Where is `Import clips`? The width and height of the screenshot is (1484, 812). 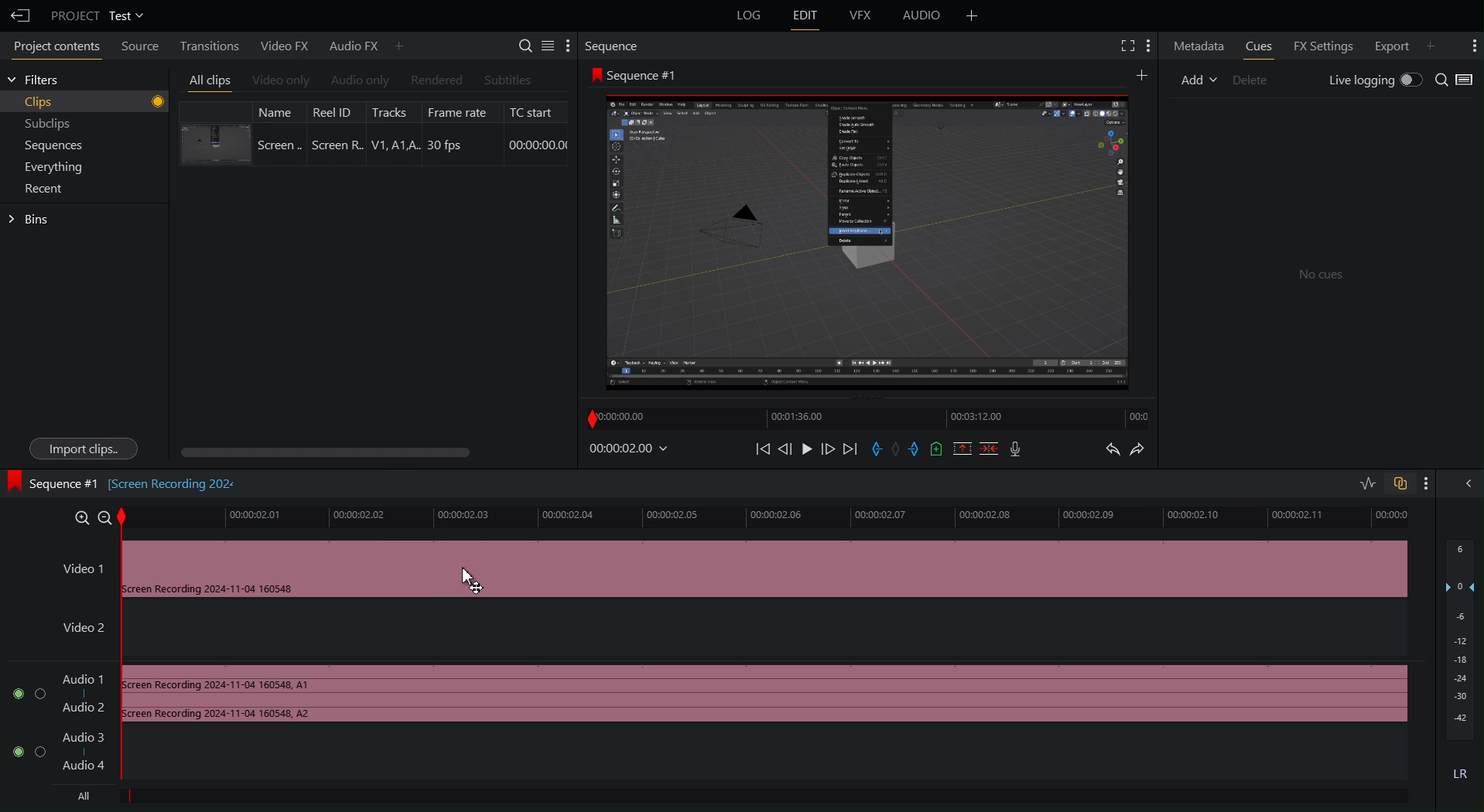 Import clips is located at coordinates (77, 448).